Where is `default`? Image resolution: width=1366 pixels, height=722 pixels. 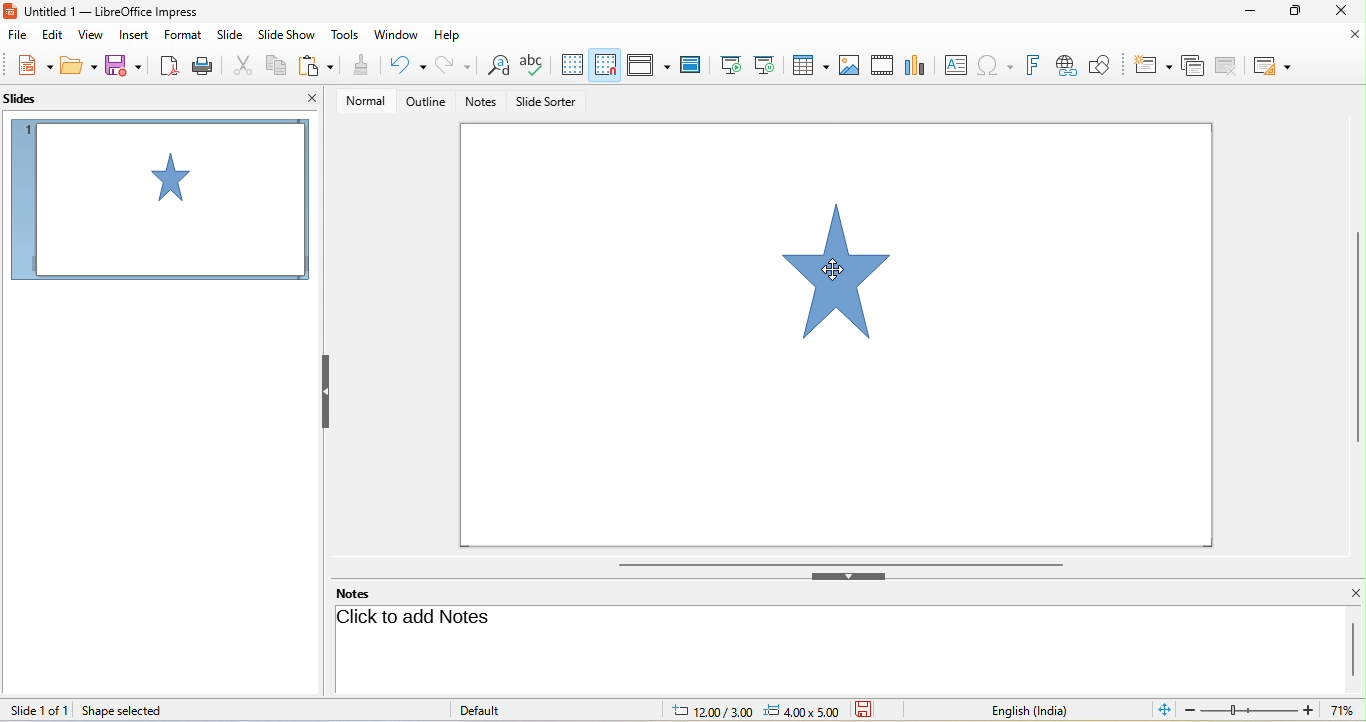 default is located at coordinates (482, 710).